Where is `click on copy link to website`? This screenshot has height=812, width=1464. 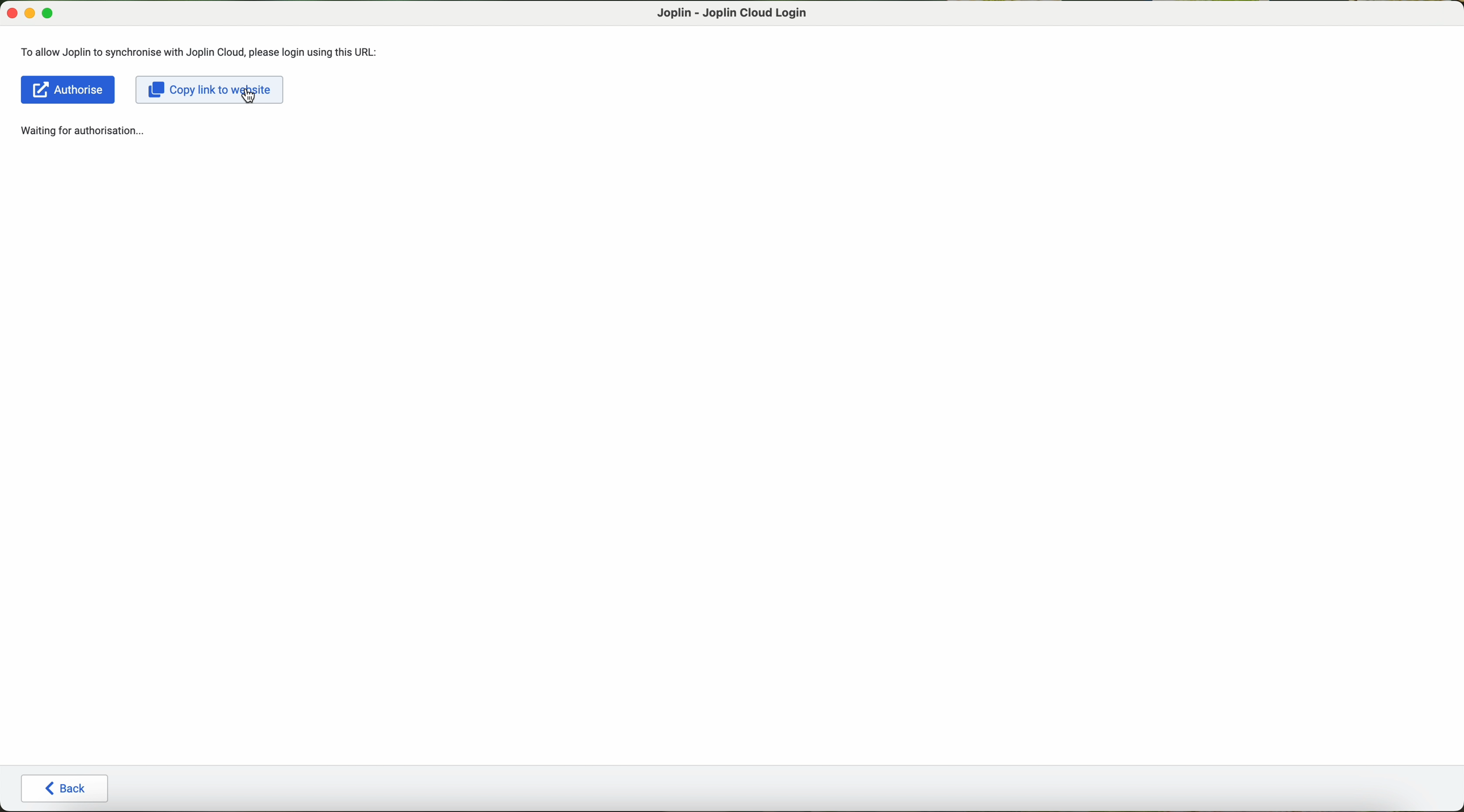 click on copy link to website is located at coordinates (212, 90).